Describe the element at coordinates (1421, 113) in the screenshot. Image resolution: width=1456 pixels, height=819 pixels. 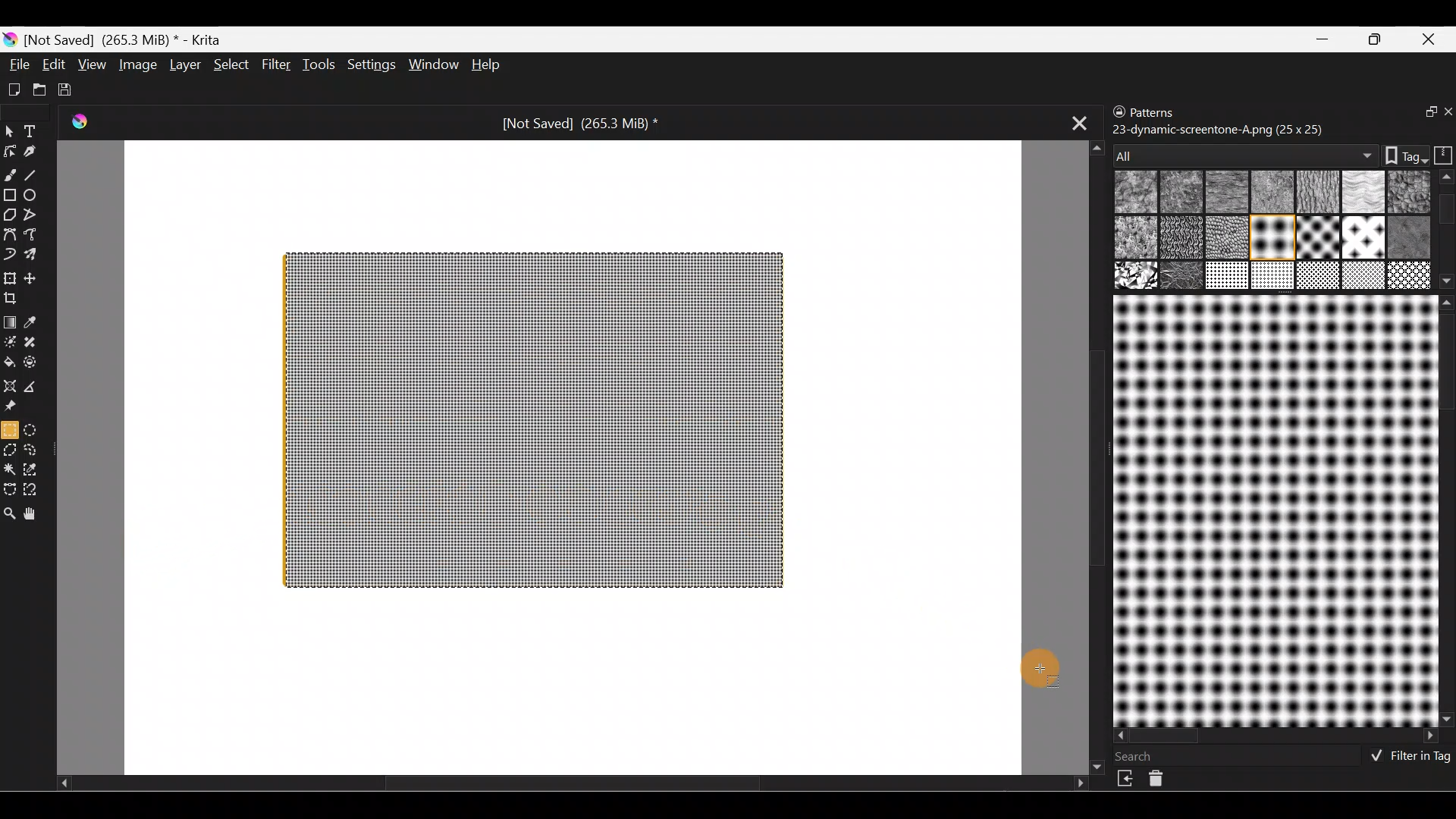
I see `Float docker` at that location.